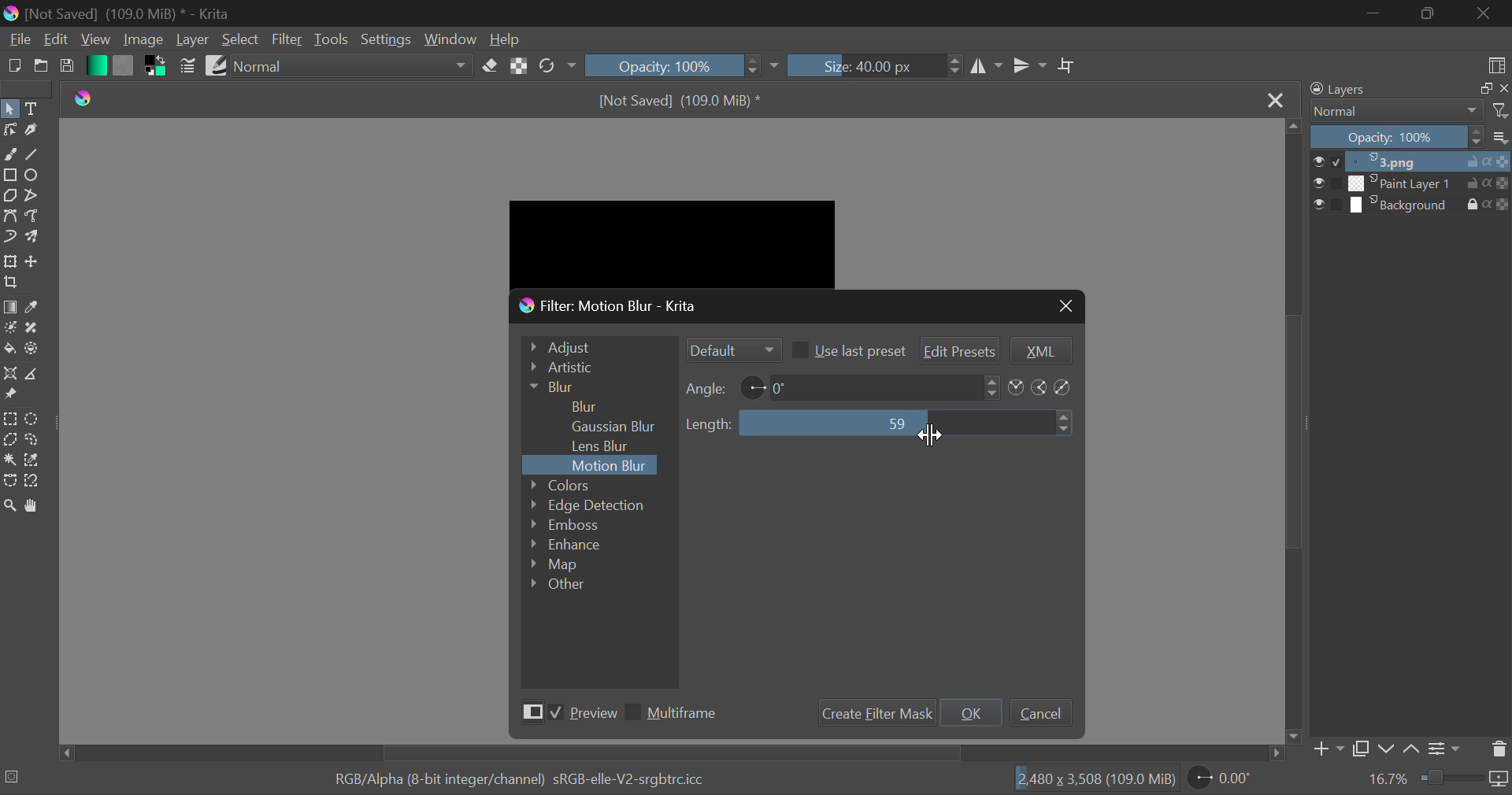  I want to click on View, so click(94, 39).